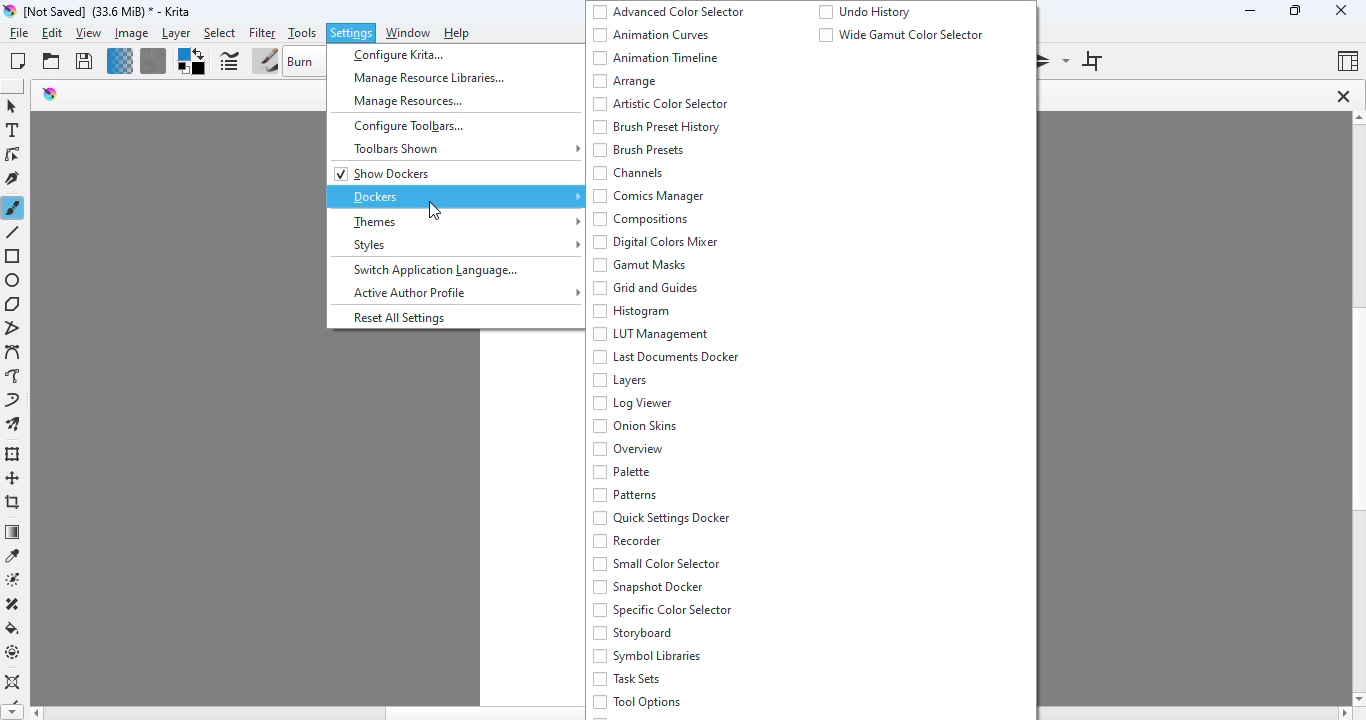 This screenshot has width=1366, height=720. I want to click on create new document, so click(17, 61).